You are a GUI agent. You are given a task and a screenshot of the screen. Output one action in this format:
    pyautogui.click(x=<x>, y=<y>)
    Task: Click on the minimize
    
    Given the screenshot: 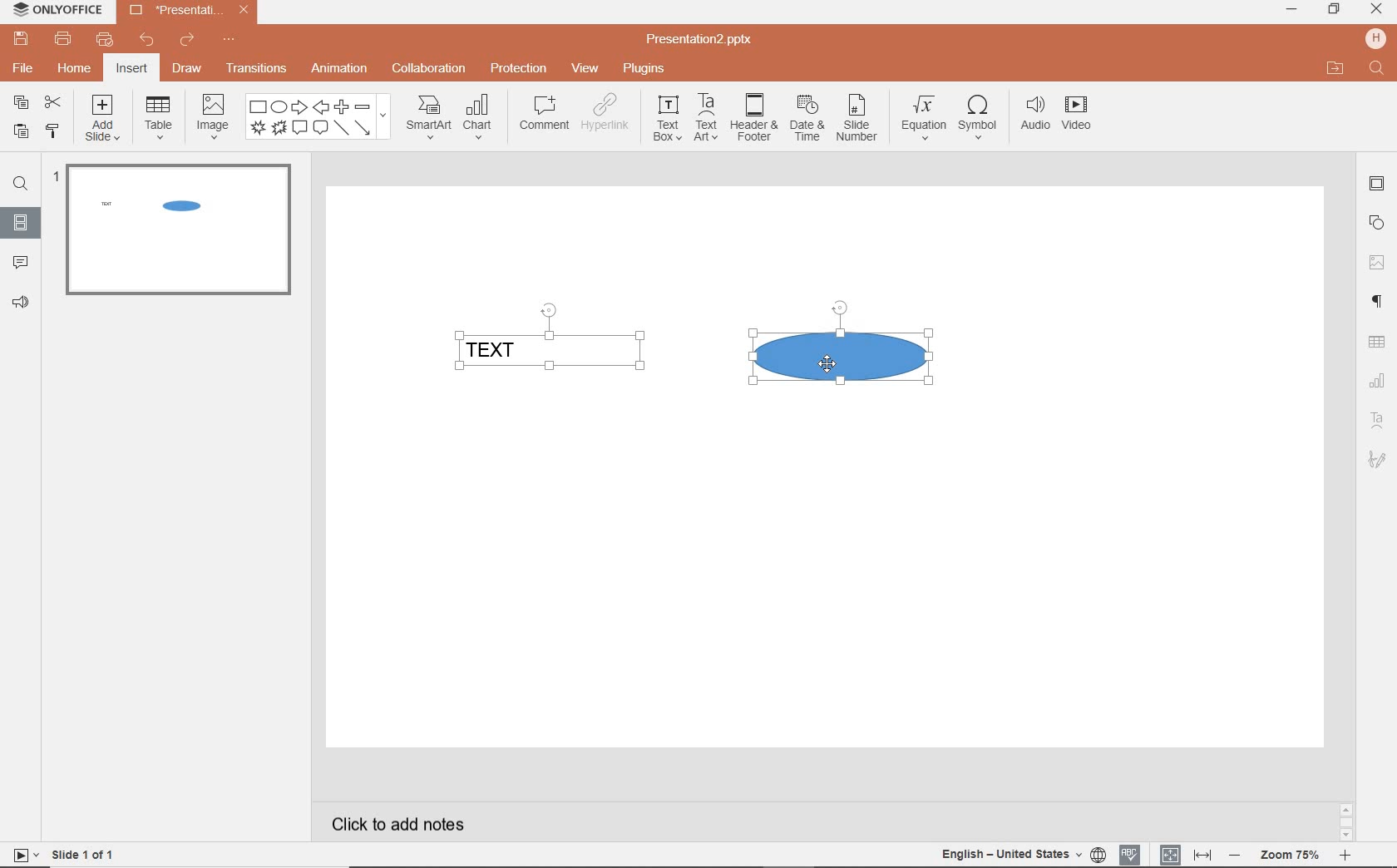 What is the action you would take?
    pyautogui.click(x=1291, y=10)
    